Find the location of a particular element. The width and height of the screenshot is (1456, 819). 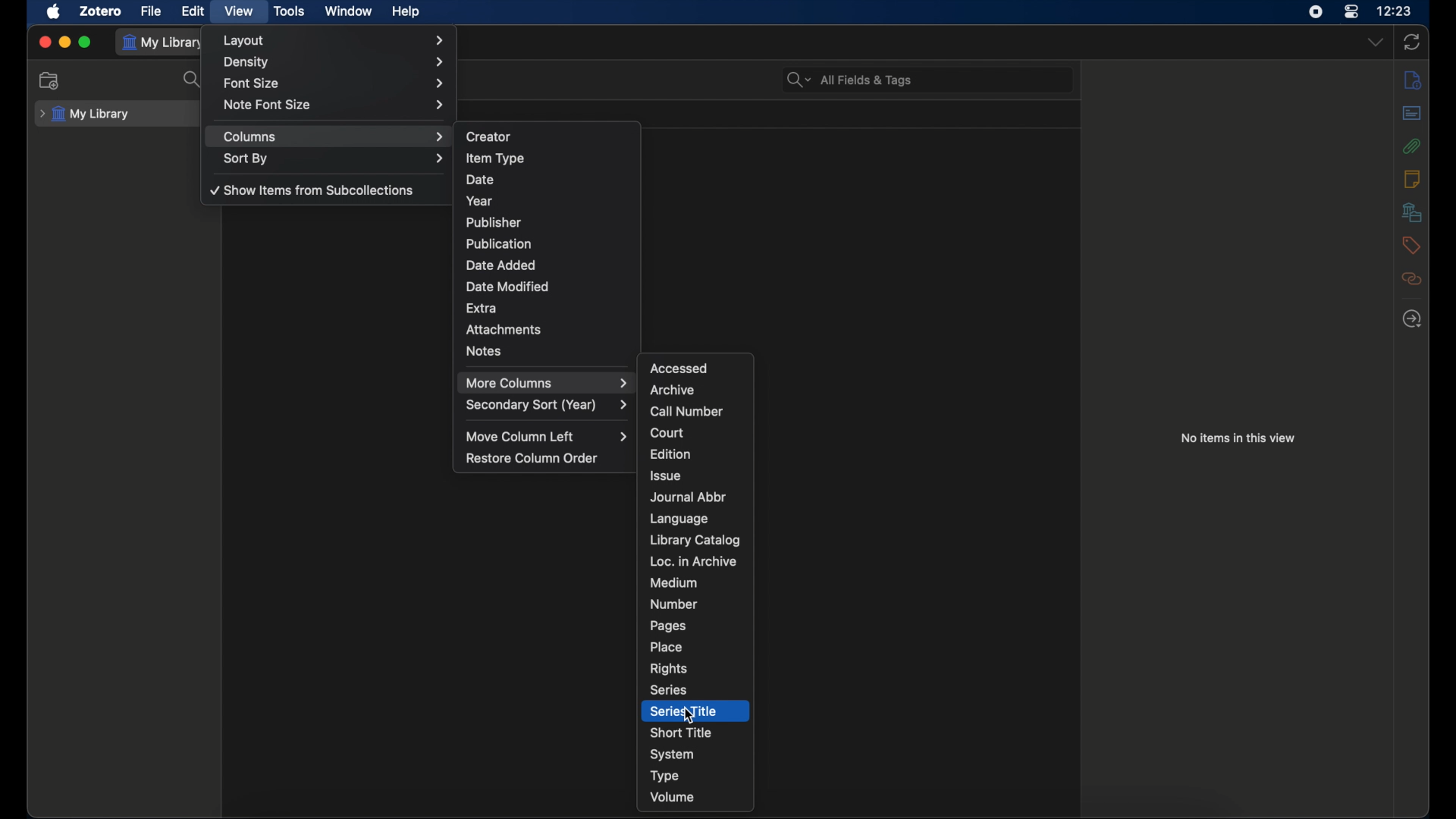

extra is located at coordinates (482, 309).